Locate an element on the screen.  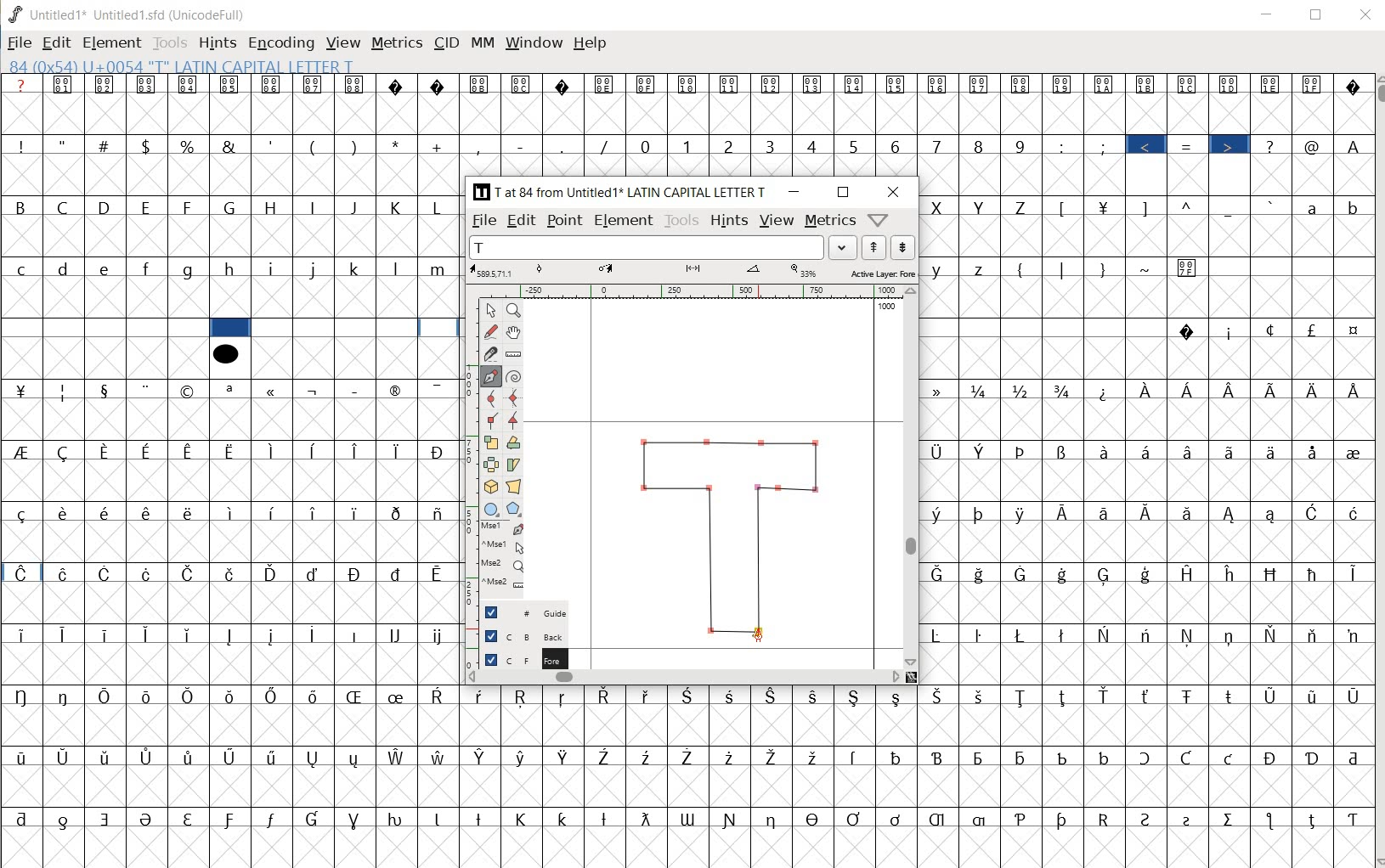
hints is located at coordinates (727, 221).